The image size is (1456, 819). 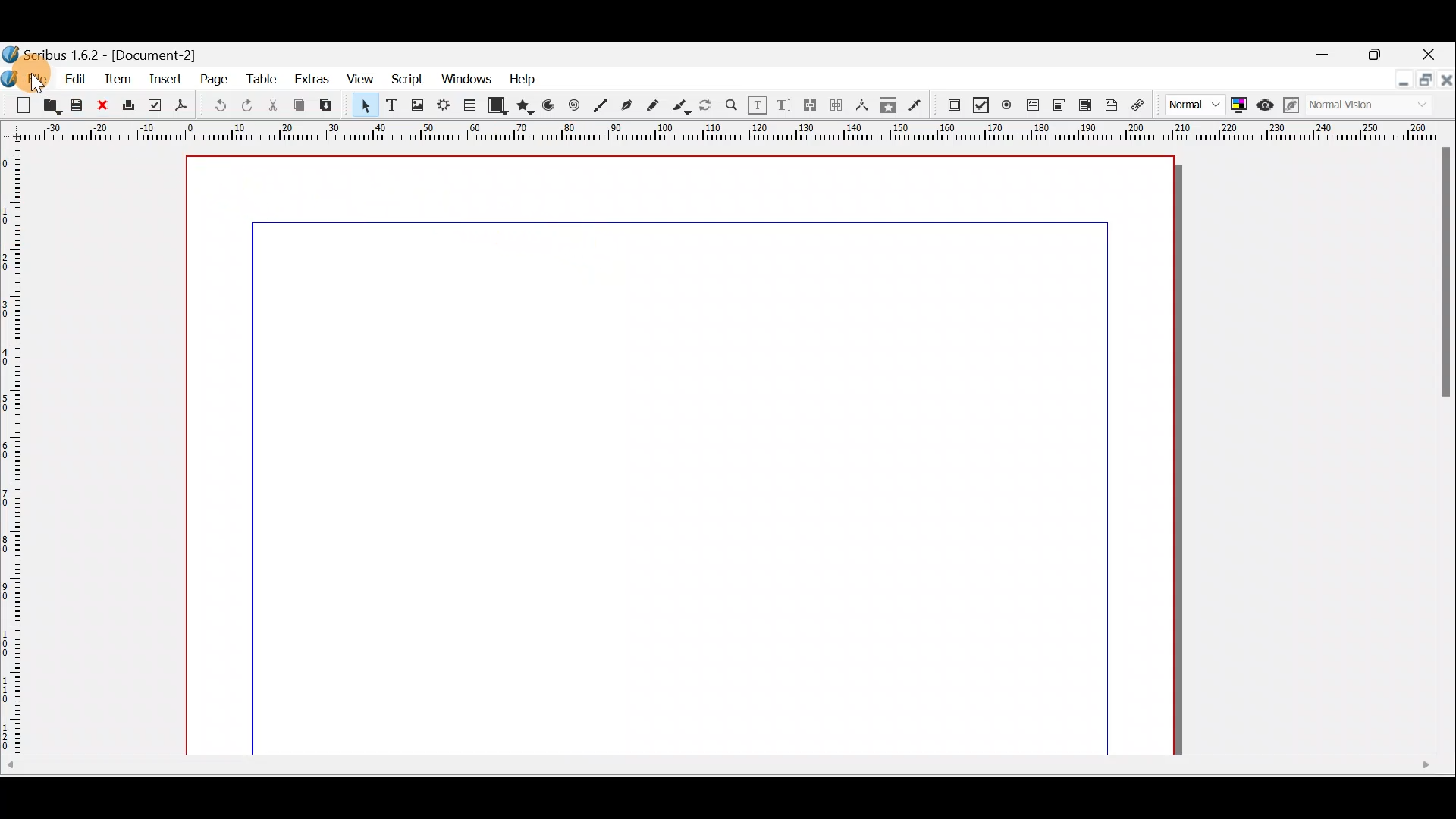 What do you see at coordinates (1445, 450) in the screenshot?
I see `Scroll bar` at bounding box center [1445, 450].